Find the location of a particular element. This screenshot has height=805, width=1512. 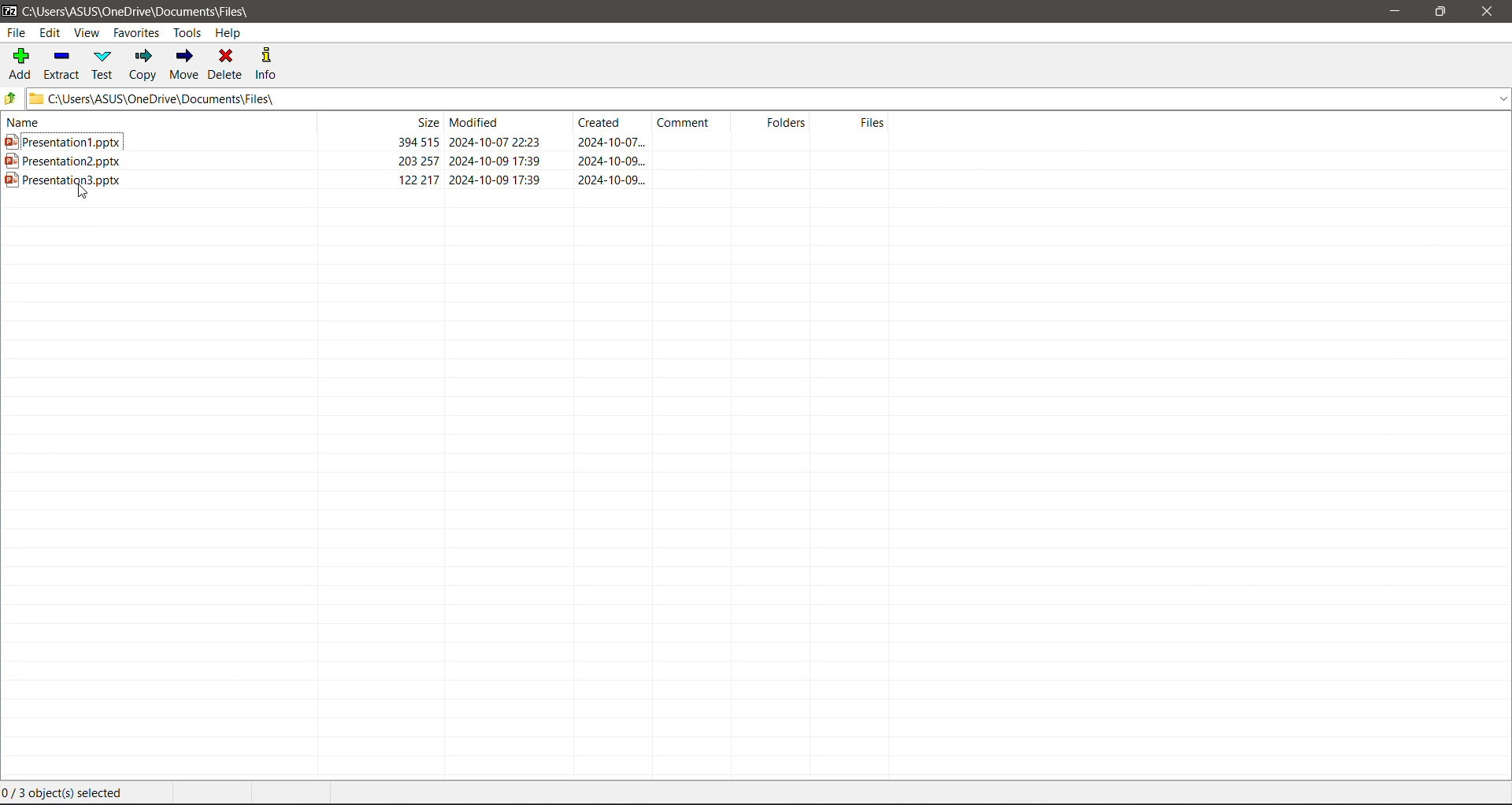

Add is located at coordinates (21, 63).